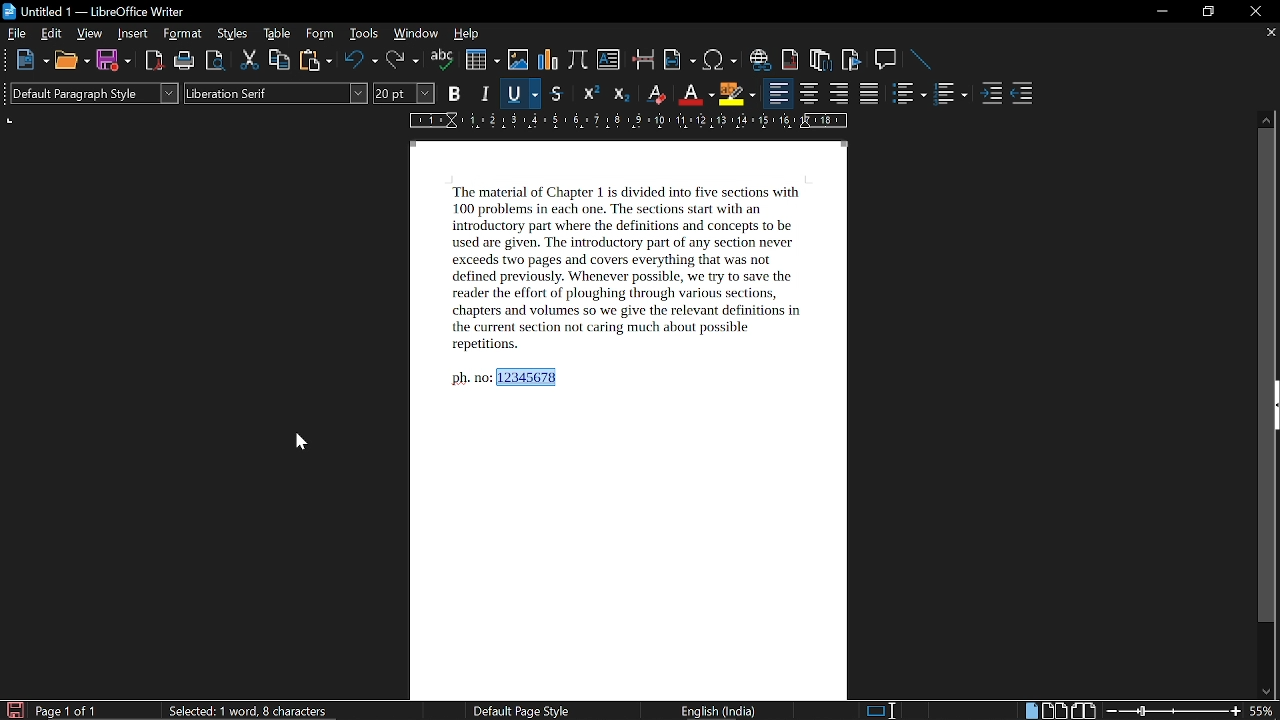 This screenshot has width=1280, height=720. What do you see at coordinates (1086, 710) in the screenshot?
I see `book view` at bounding box center [1086, 710].